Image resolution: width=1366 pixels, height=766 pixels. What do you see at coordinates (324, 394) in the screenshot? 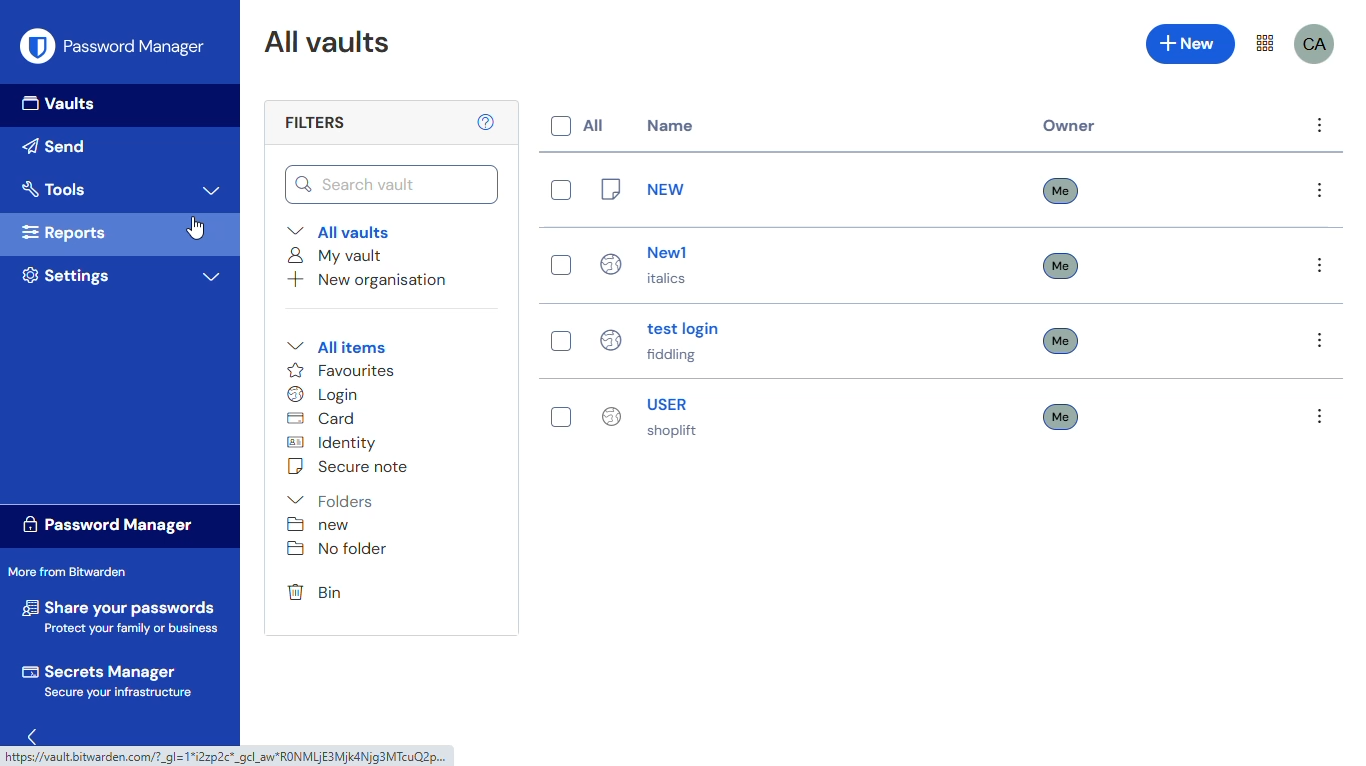
I see `login` at bounding box center [324, 394].